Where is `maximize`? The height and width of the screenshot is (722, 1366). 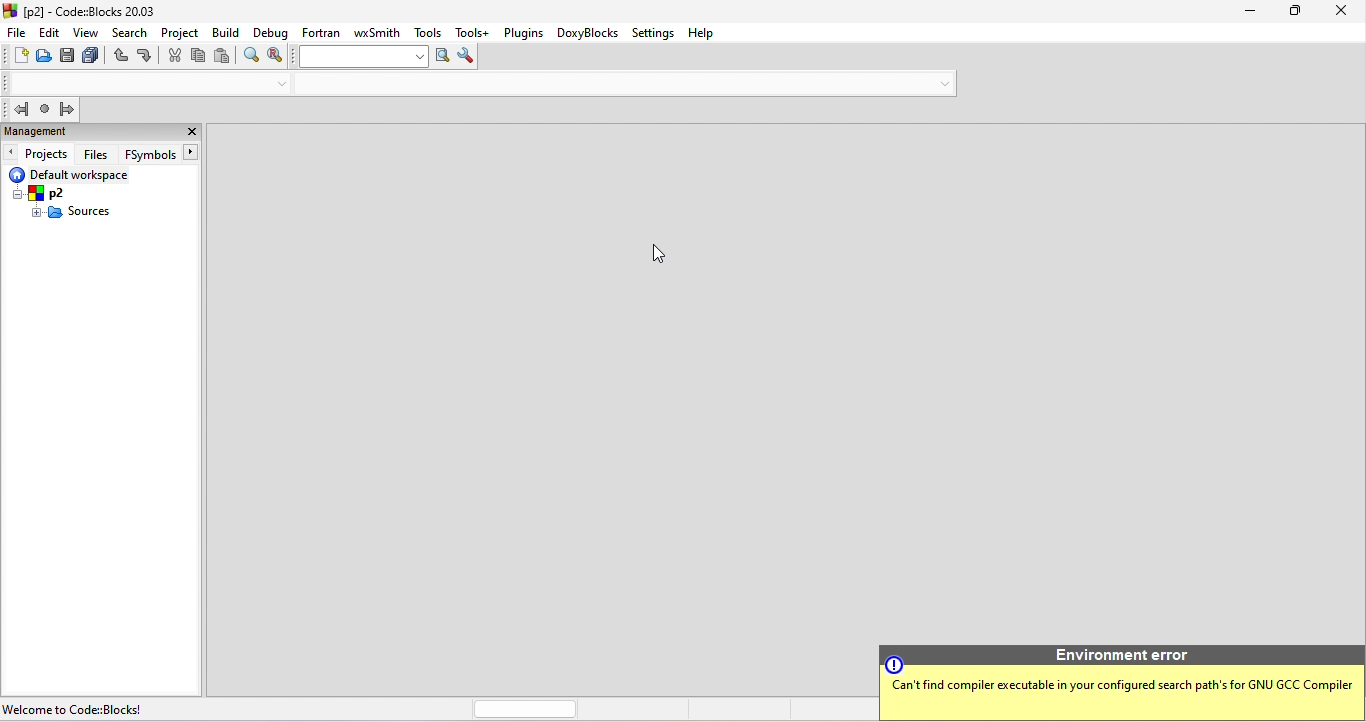
maximize is located at coordinates (1288, 9).